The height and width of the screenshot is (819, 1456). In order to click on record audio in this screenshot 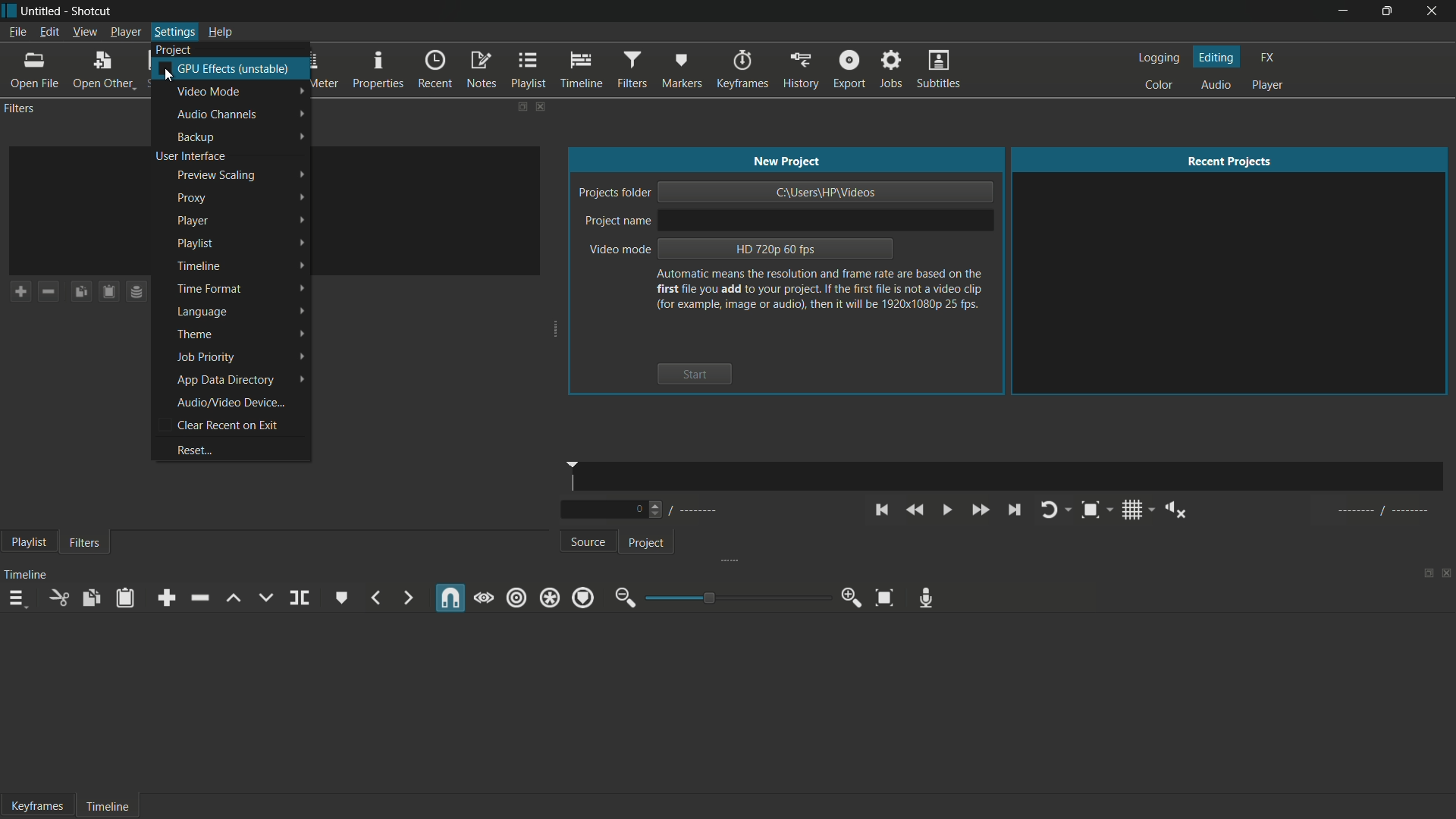, I will do `click(926, 596)`.